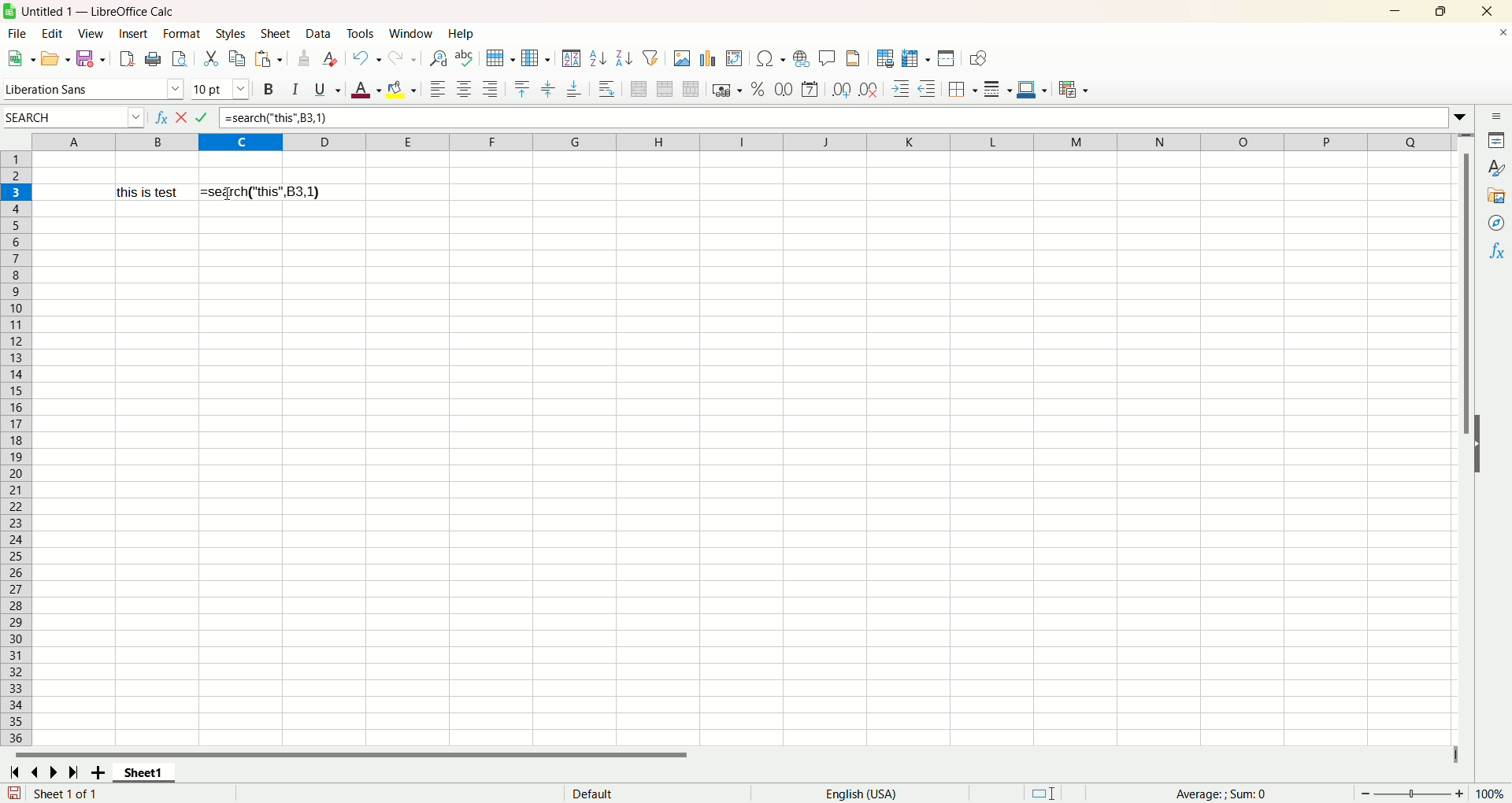 The width and height of the screenshot is (1512, 803). Describe the element at coordinates (266, 58) in the screenshot. I see `paste` at that location.